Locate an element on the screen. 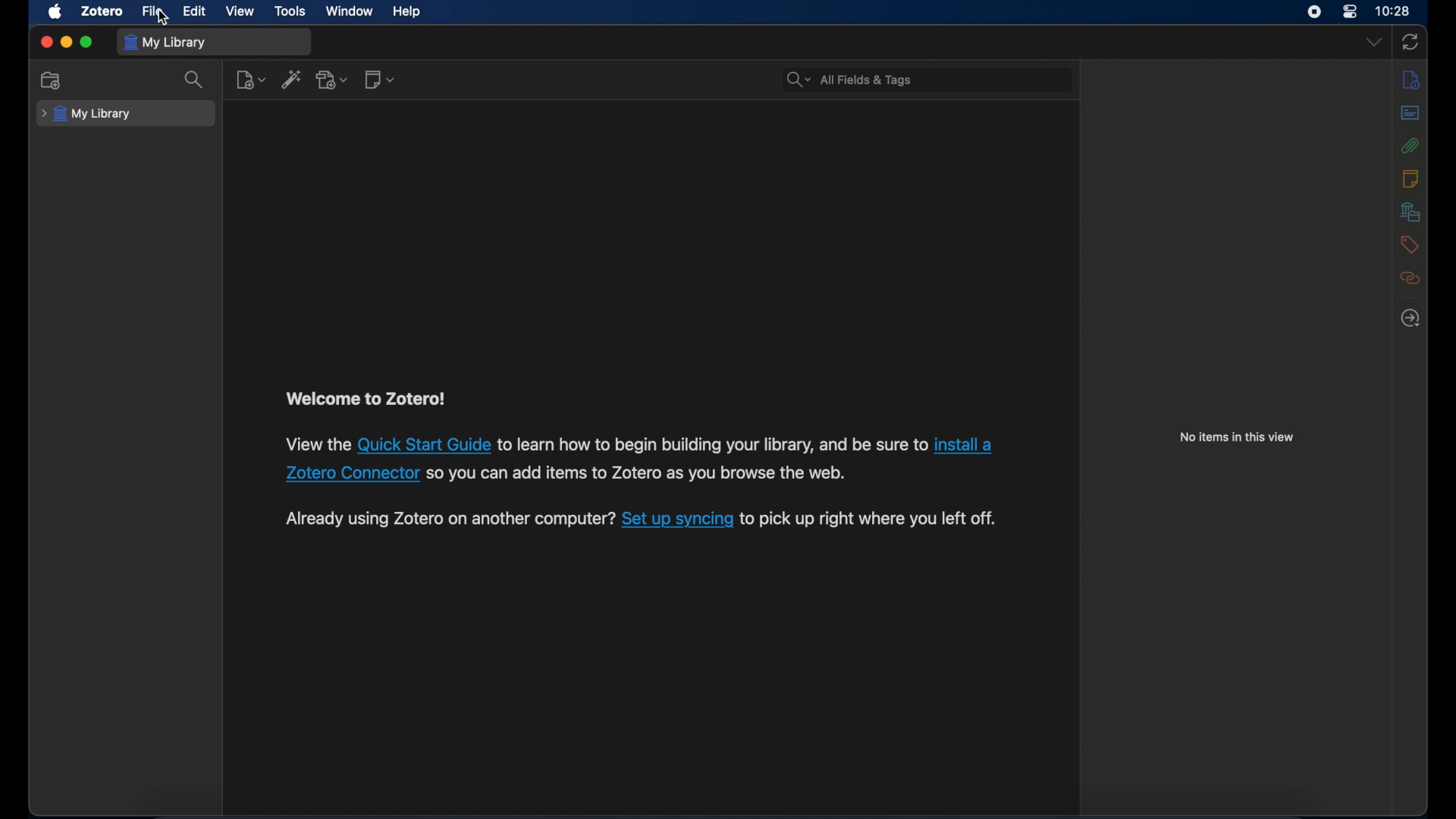 The image size is (1456, 819). notes is located at coordinates (1410, 179).